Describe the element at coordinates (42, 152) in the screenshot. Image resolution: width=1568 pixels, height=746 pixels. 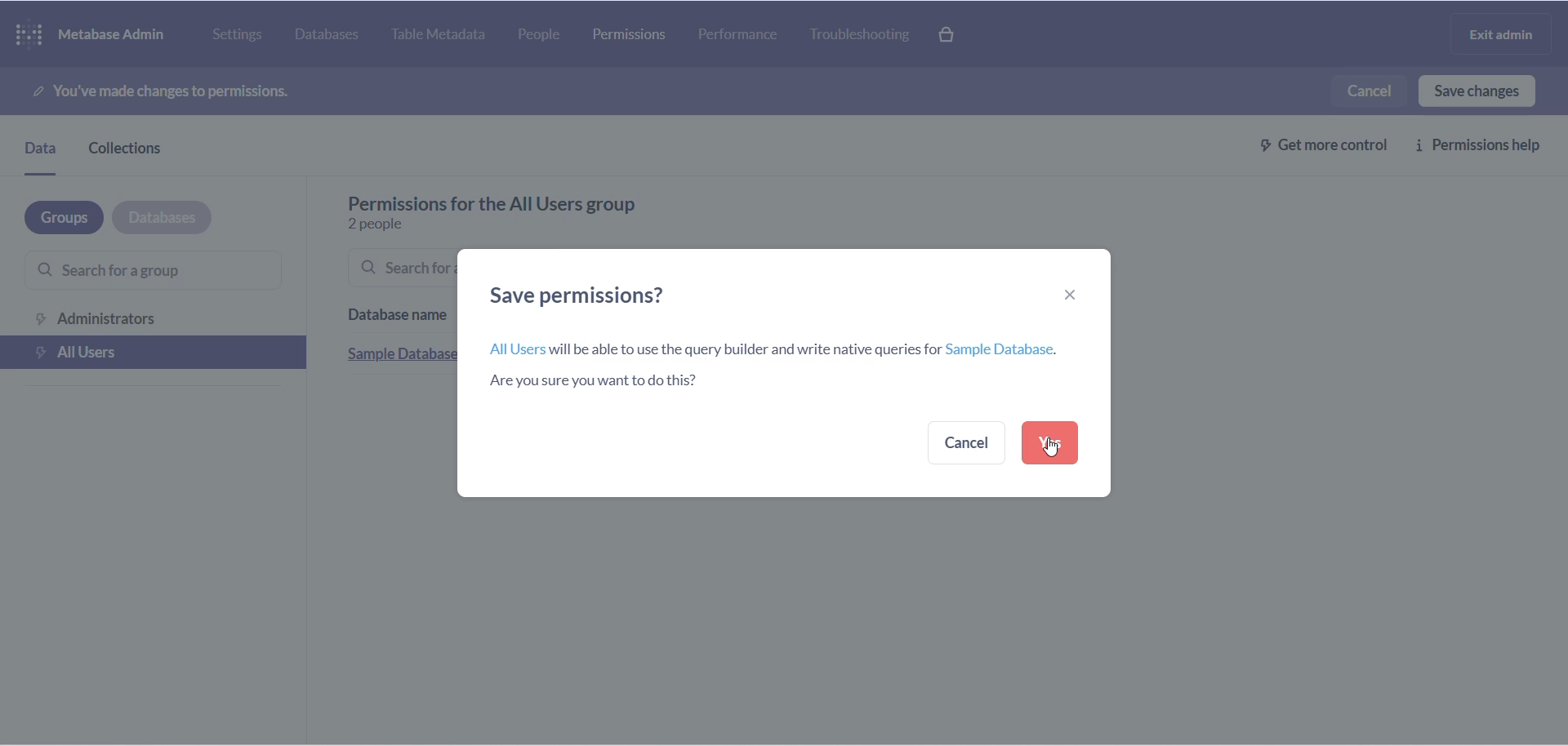
I see `data` at that location.